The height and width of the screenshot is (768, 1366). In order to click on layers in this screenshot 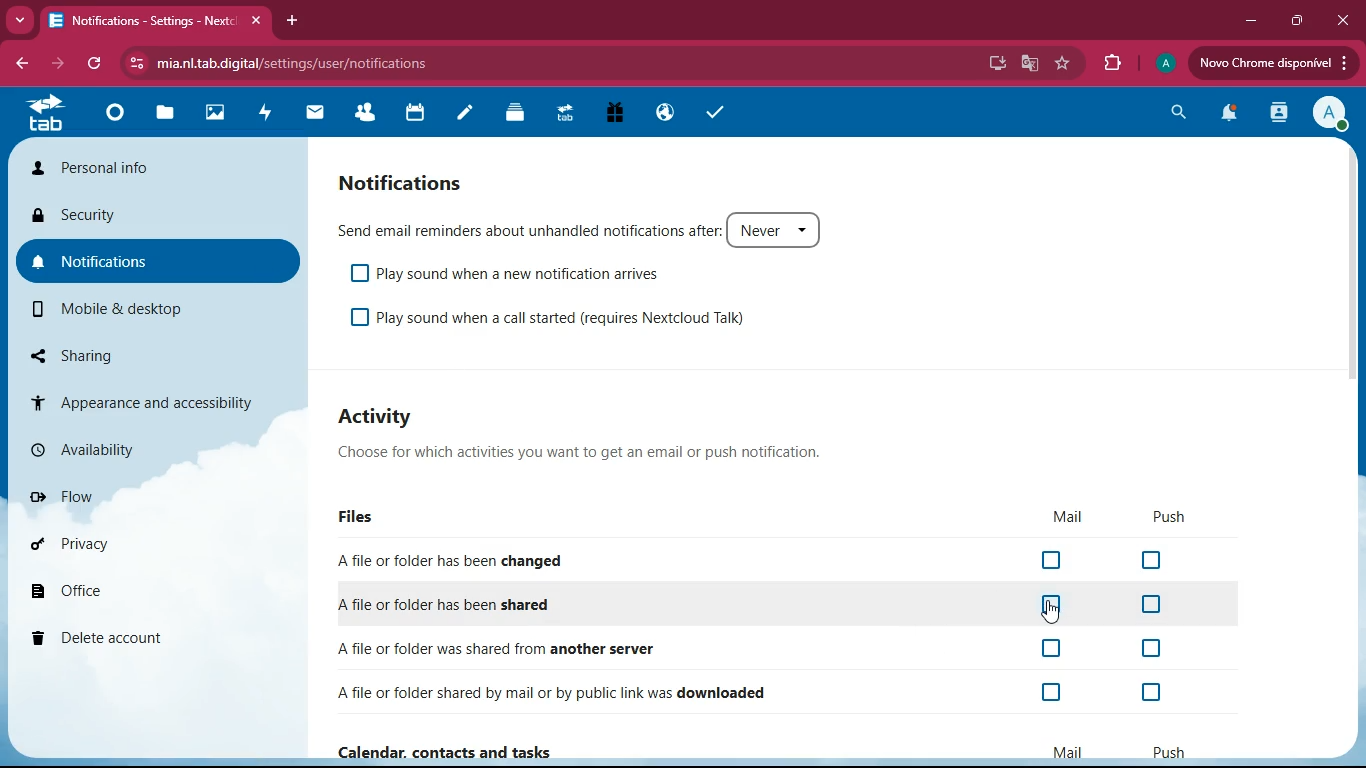, I will do `click(510, 115)`.